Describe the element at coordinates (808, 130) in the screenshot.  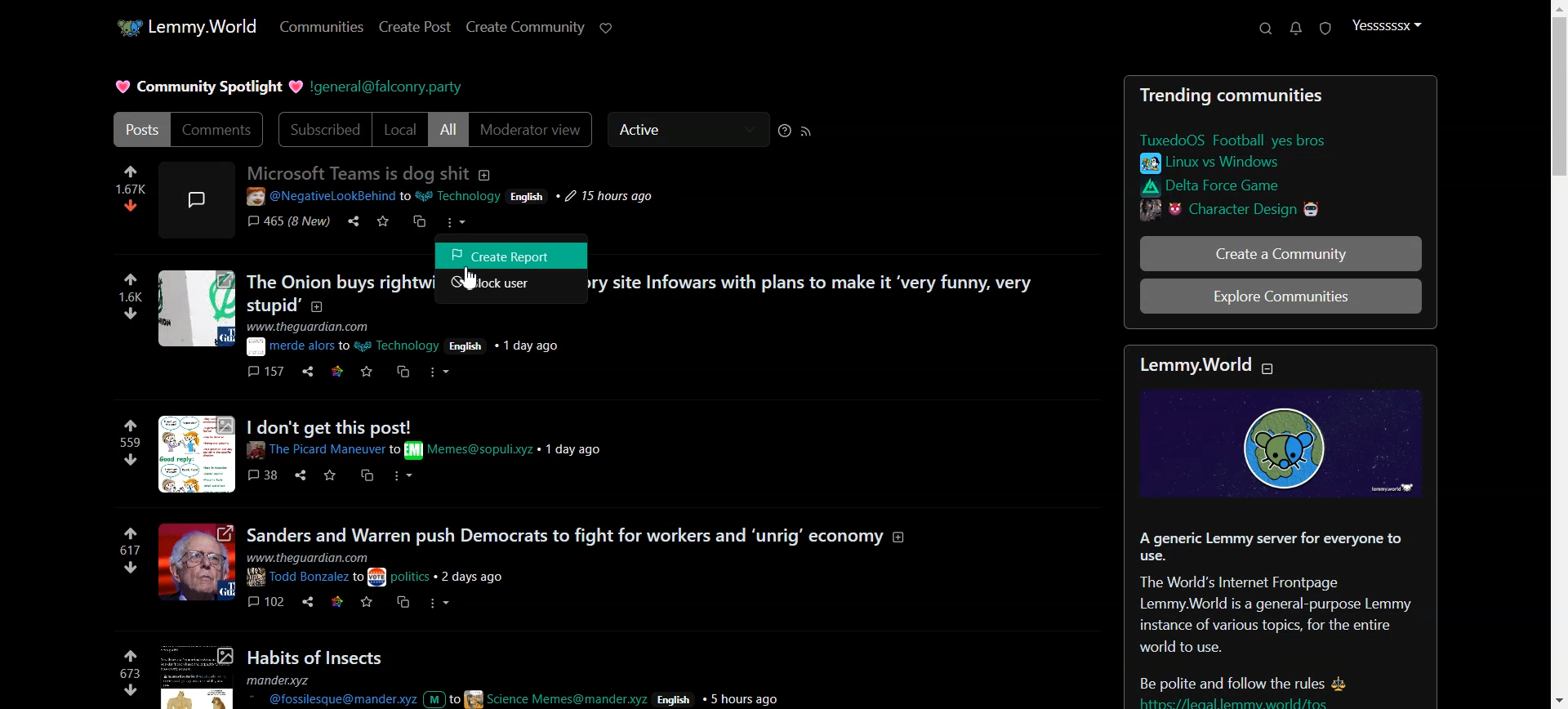
I see `RSS` at that location.